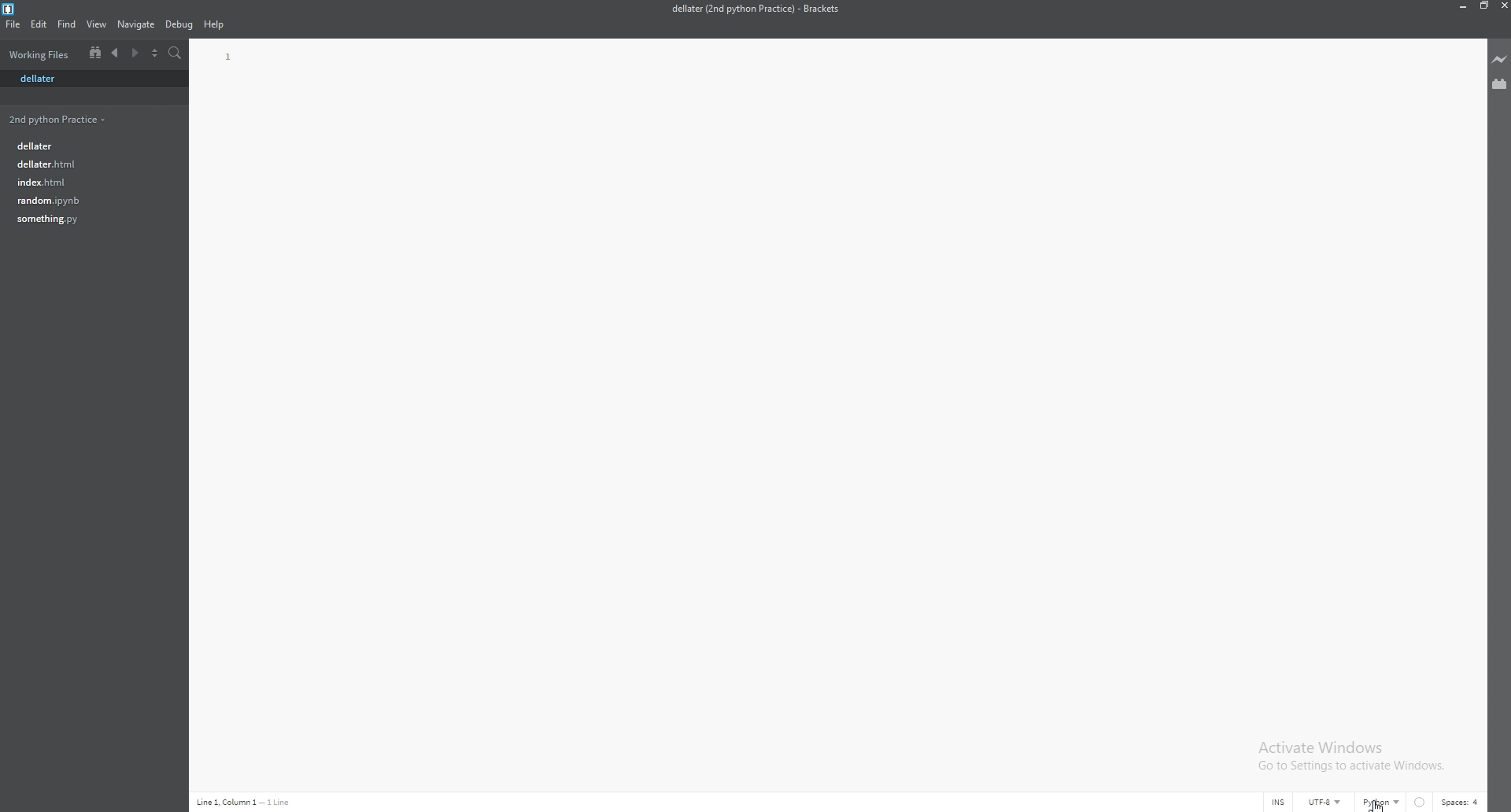  What do you see at coordinates (42, 54) in the screenshot?
I see `working files` at bounding box center [42, 54].